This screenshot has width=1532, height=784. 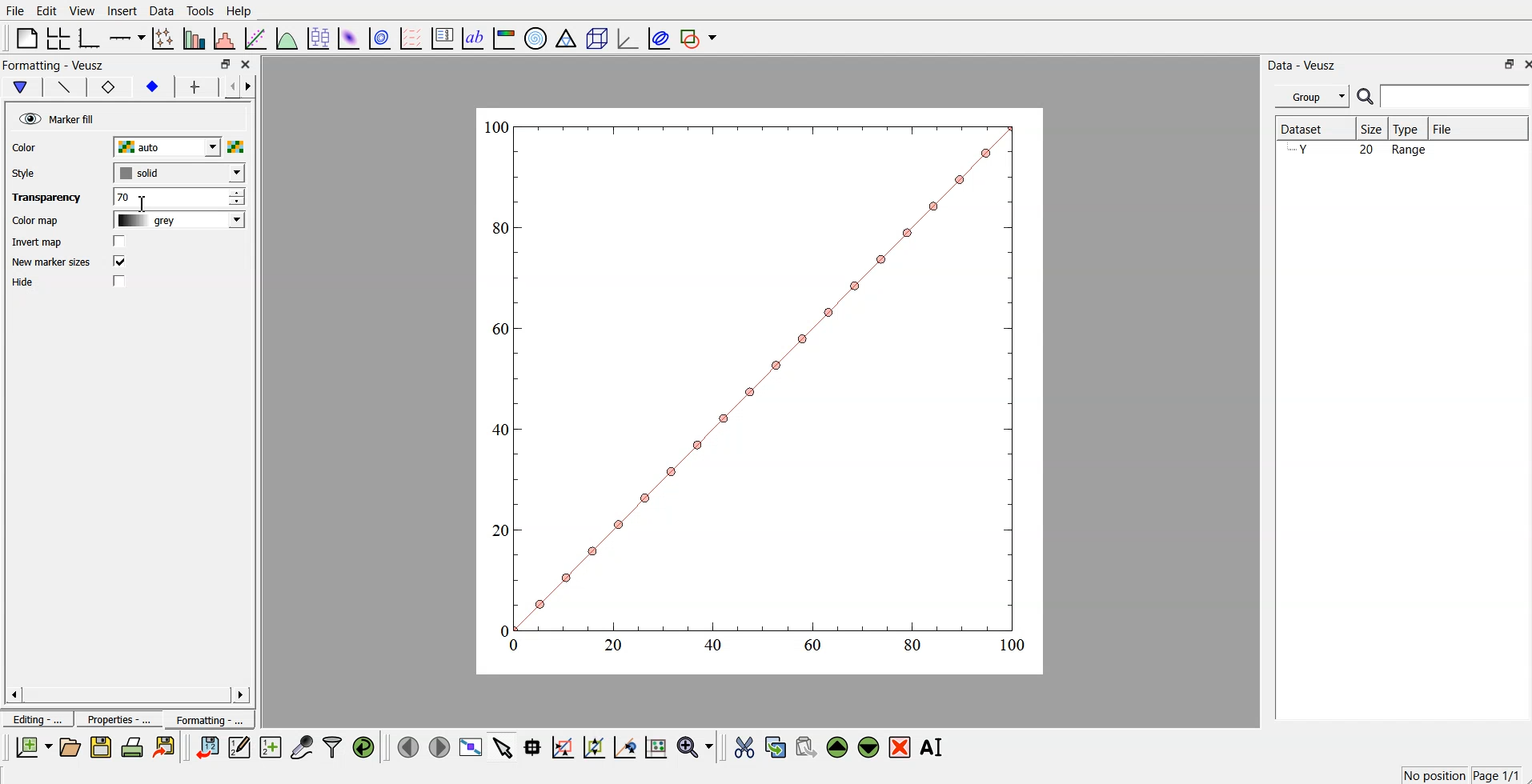 What do you see at coordinates (82, 10) in the screenshot?
I see `View` at bounding box center [82, 10].